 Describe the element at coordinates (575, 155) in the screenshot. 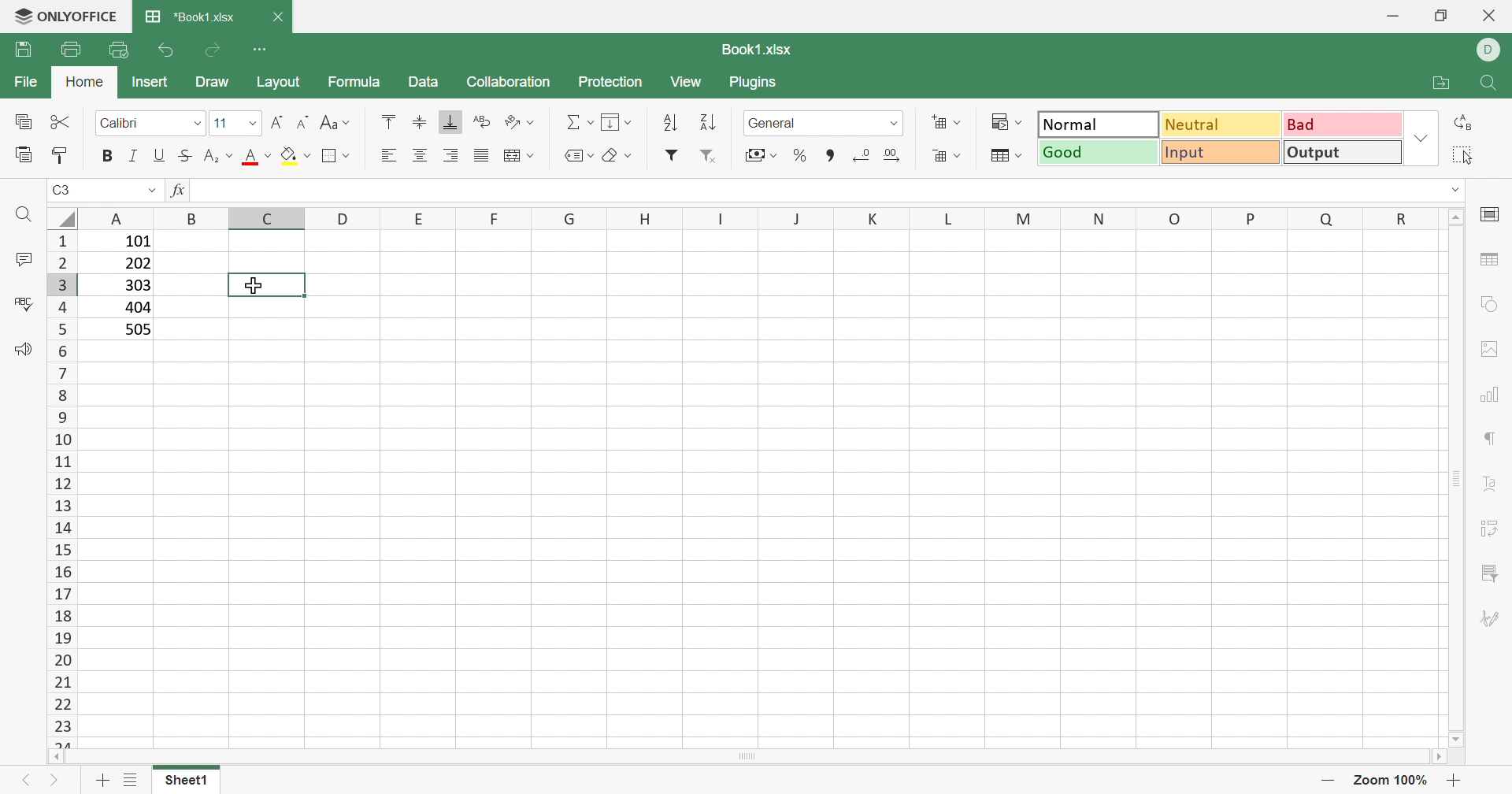

I see `Named ranges` at that location.